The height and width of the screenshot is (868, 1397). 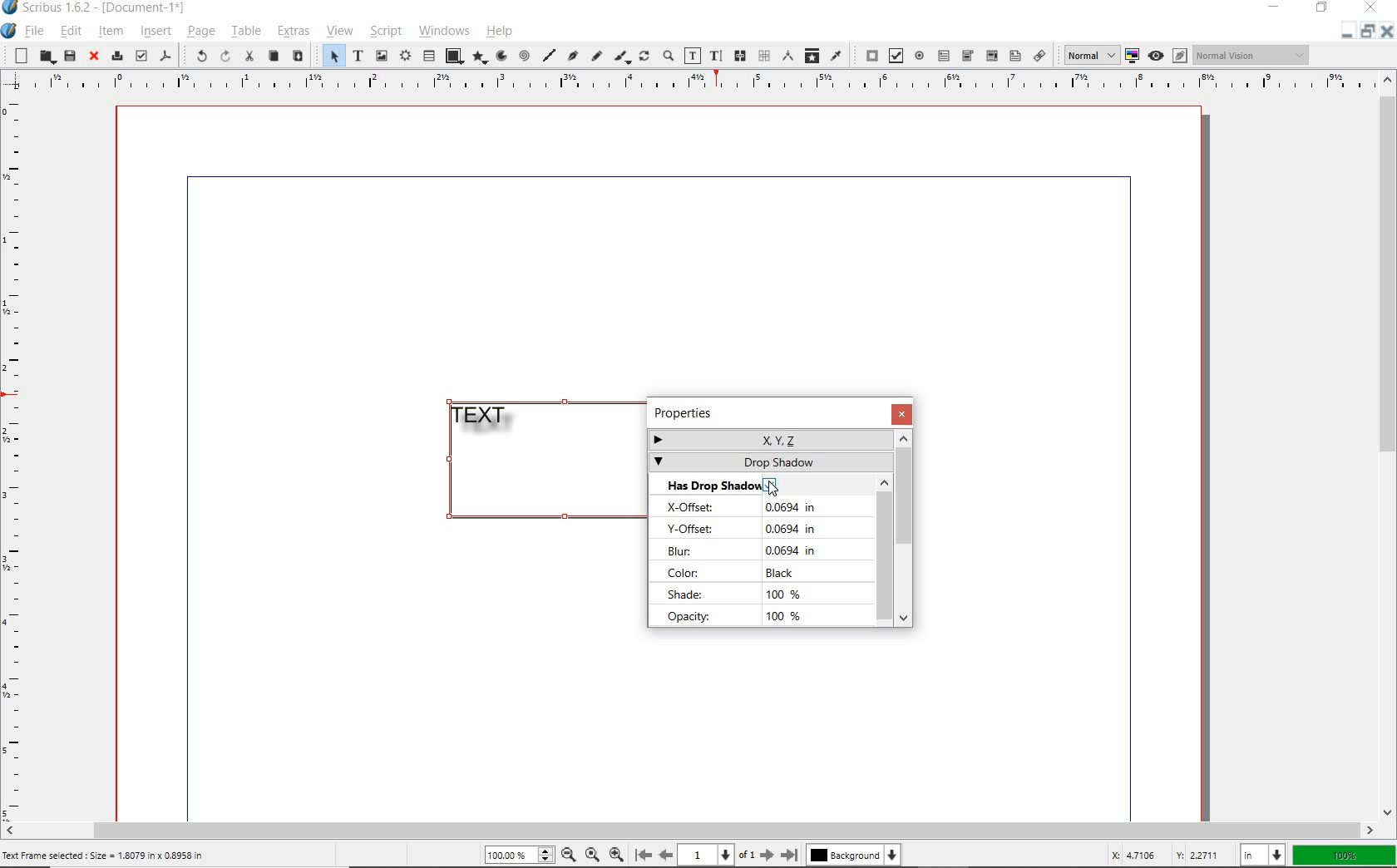 What do you see at coordinates (355, 56) in the screenshot?
I see `text frame` at bounding box center [355, 56].